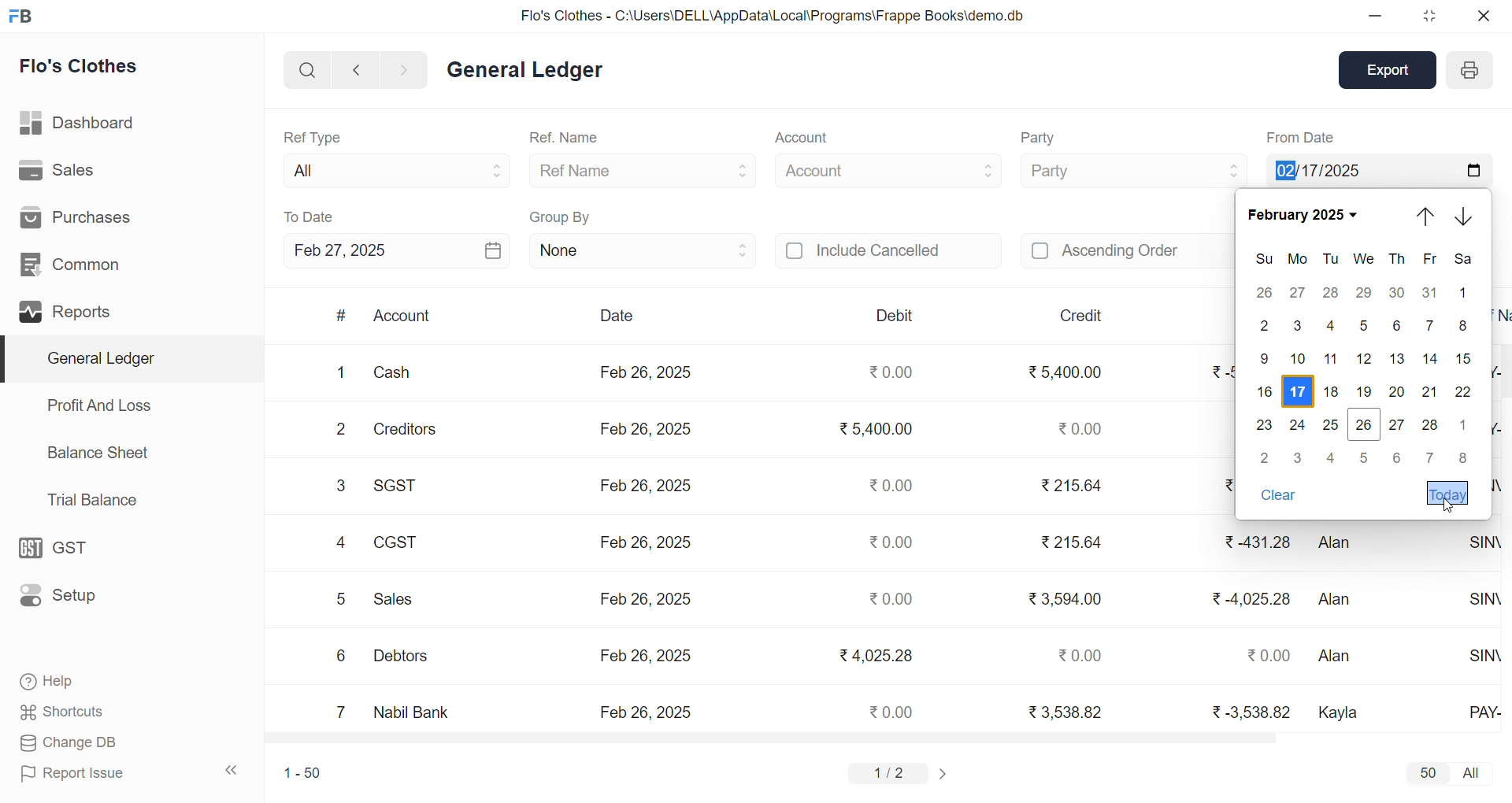 The image size is (1512, 803). I want to click on Feb 26, 2025, so click(643, 655).